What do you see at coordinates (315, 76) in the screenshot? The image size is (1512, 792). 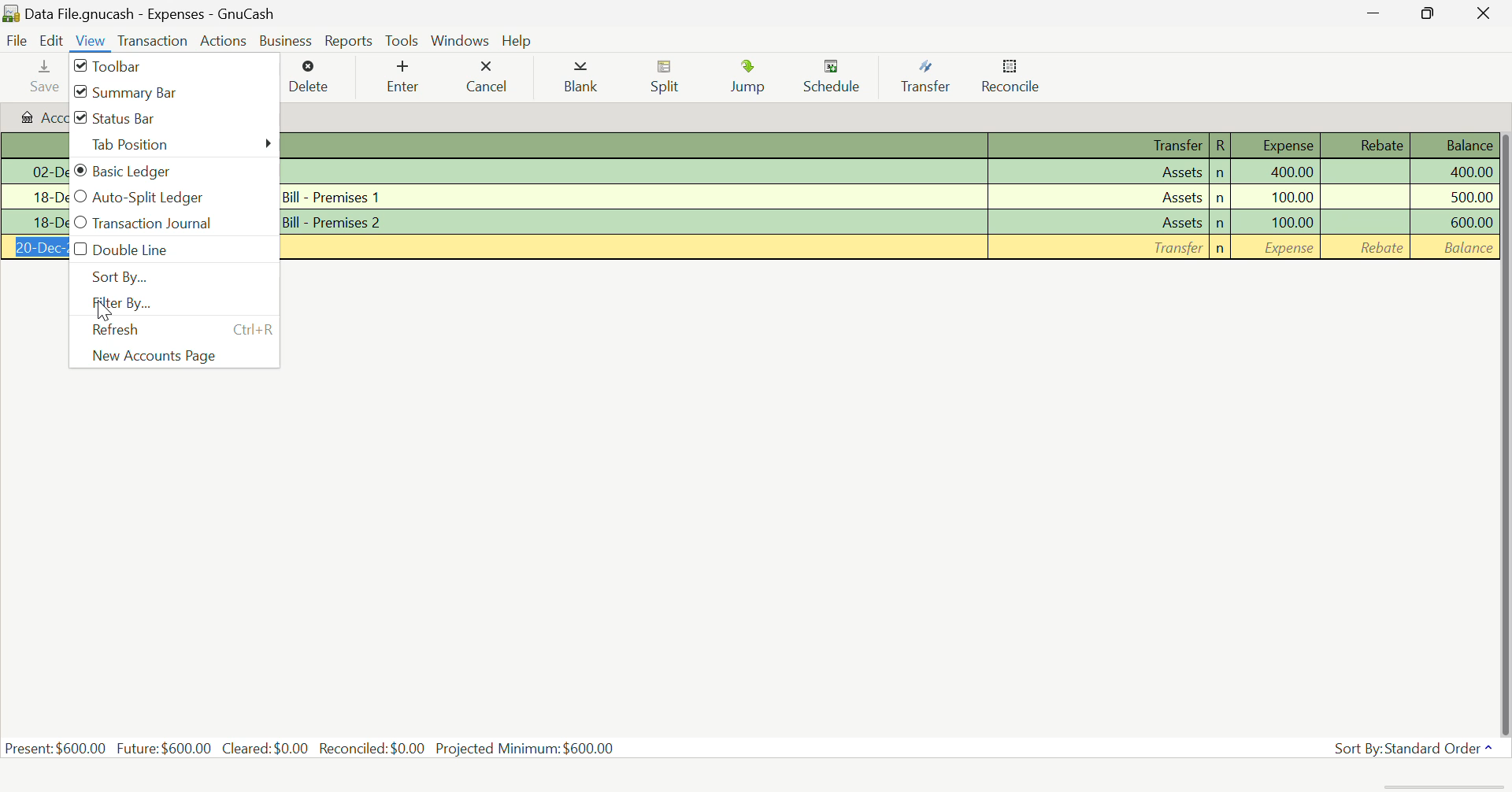 I see `Delete` at bounding box center [315, 76].